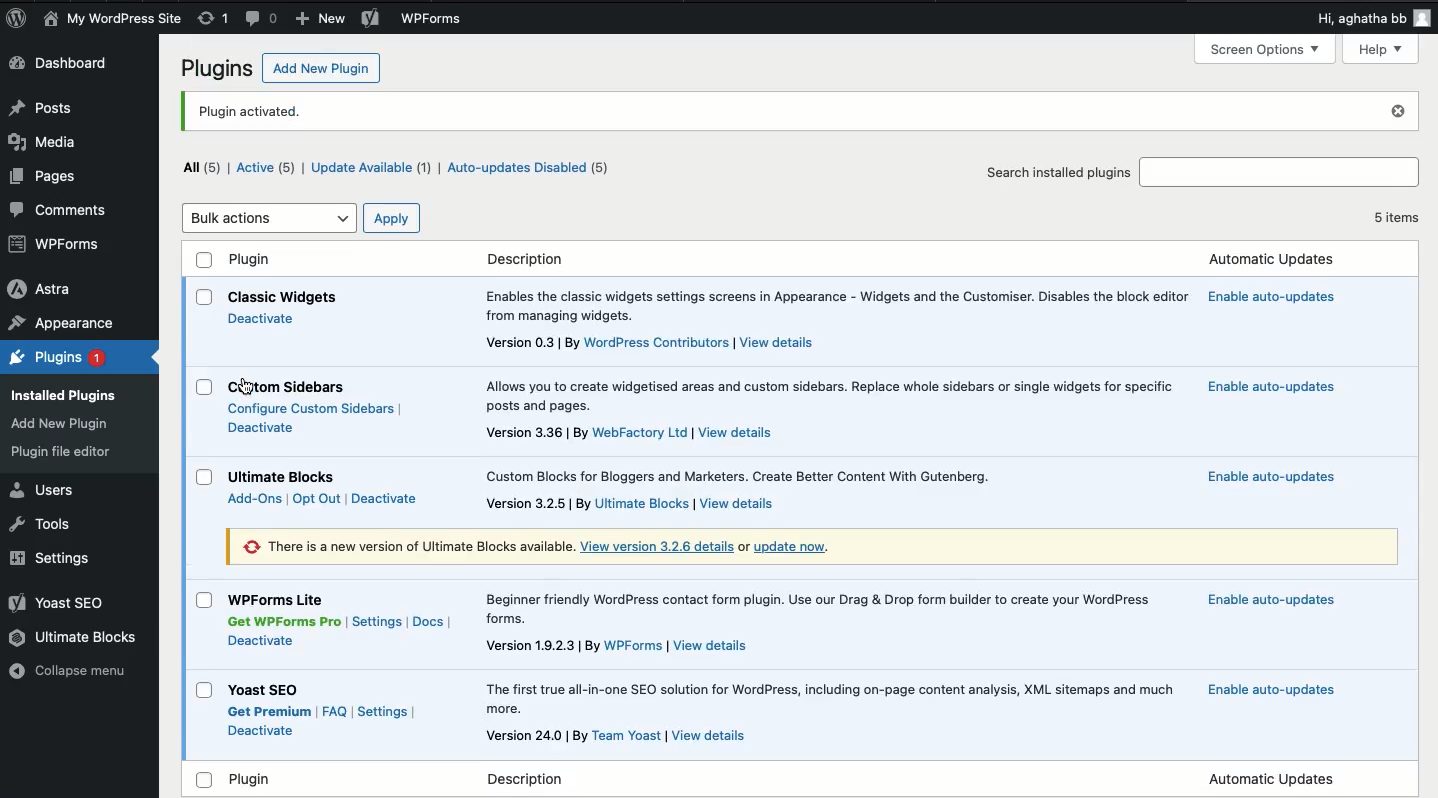 The width and height of the screenshot is (1438, 798). I want to click on checkbox, so click(204, 298).